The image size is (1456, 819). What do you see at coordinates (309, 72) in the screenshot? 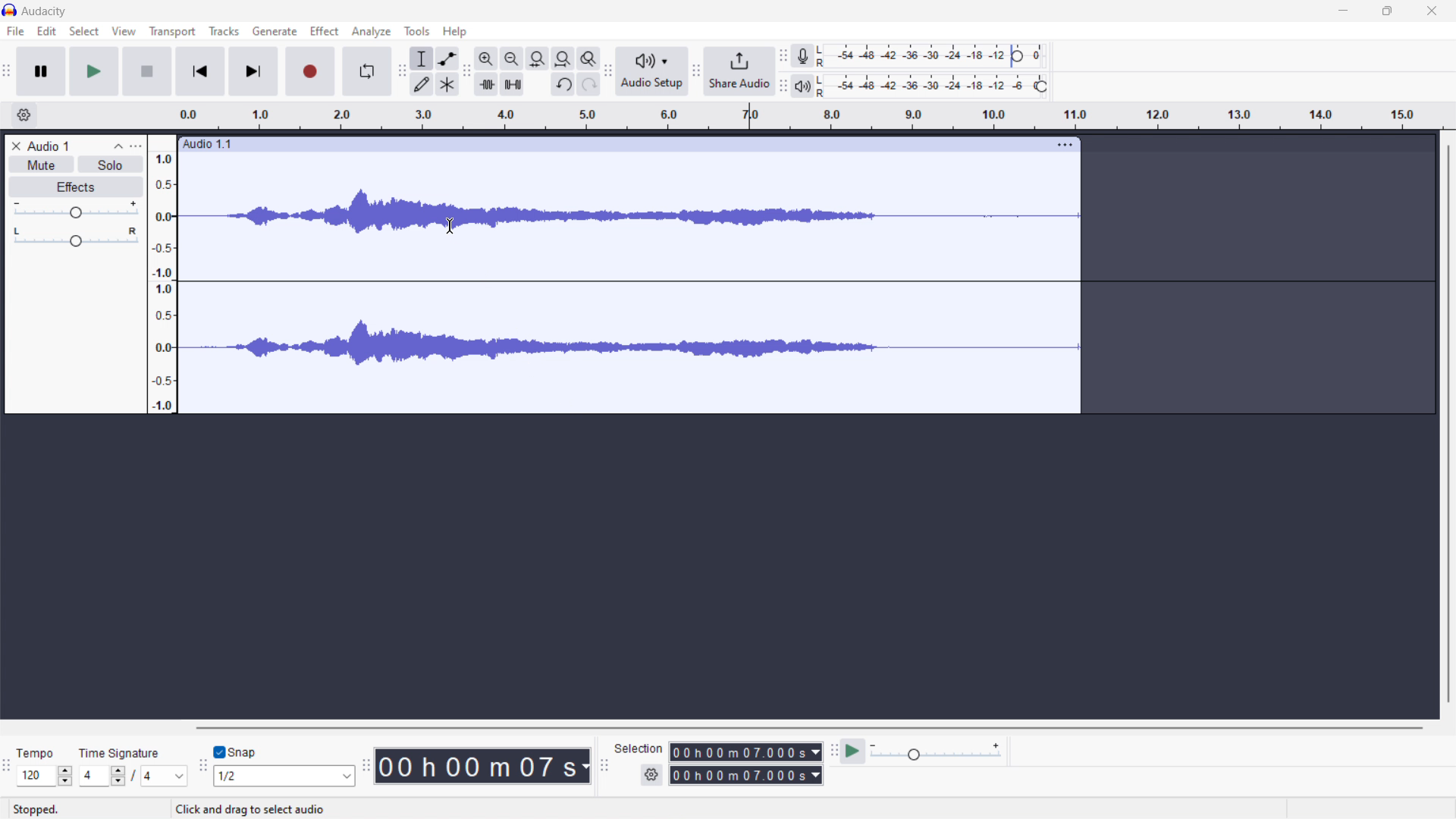
I see `record` at bounding box center [309, 72].